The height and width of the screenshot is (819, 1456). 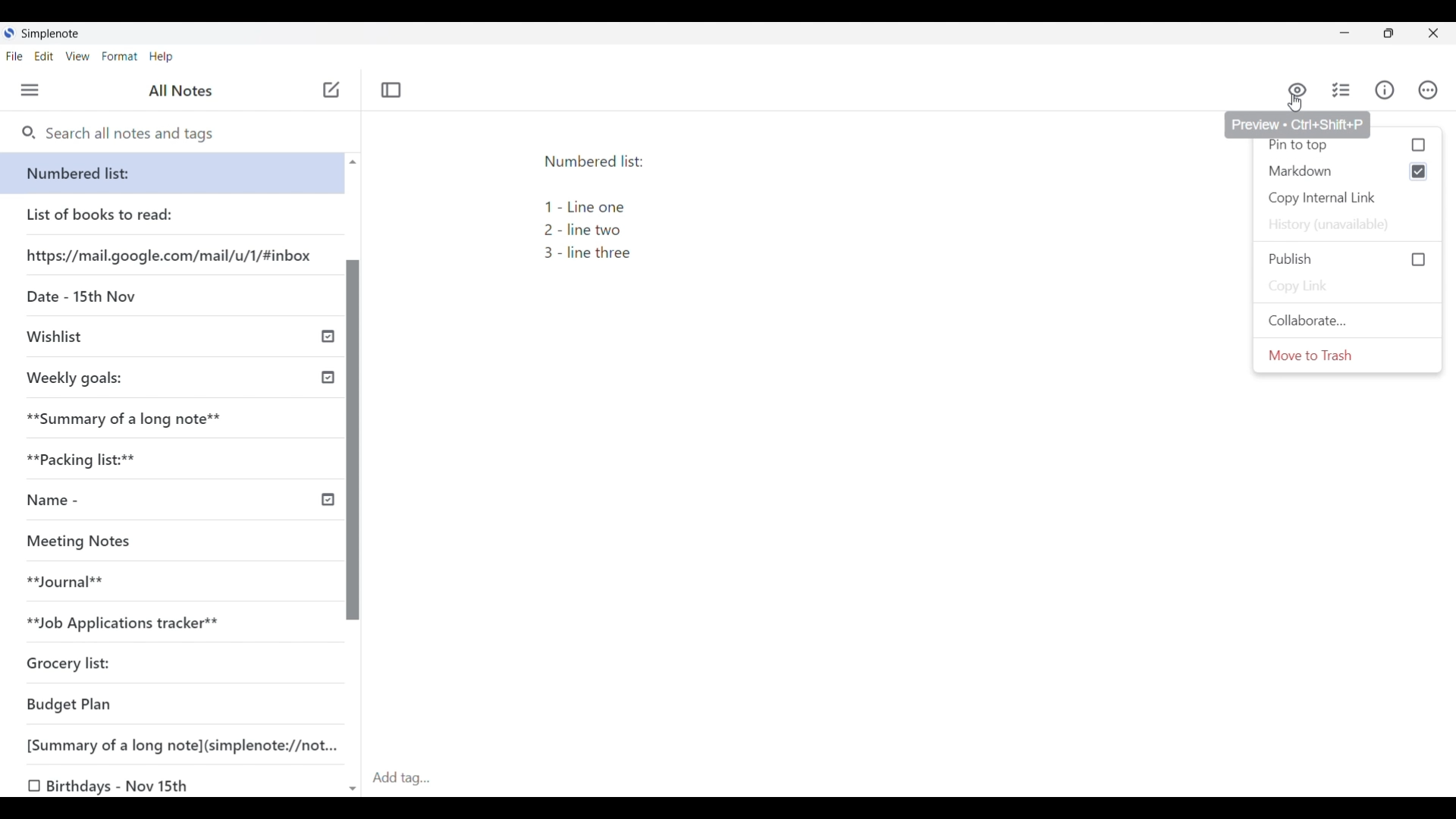 What do you see at coordinates (331, 89) in the screenshot?
I see `Add note` at bounding box center [331, 89].